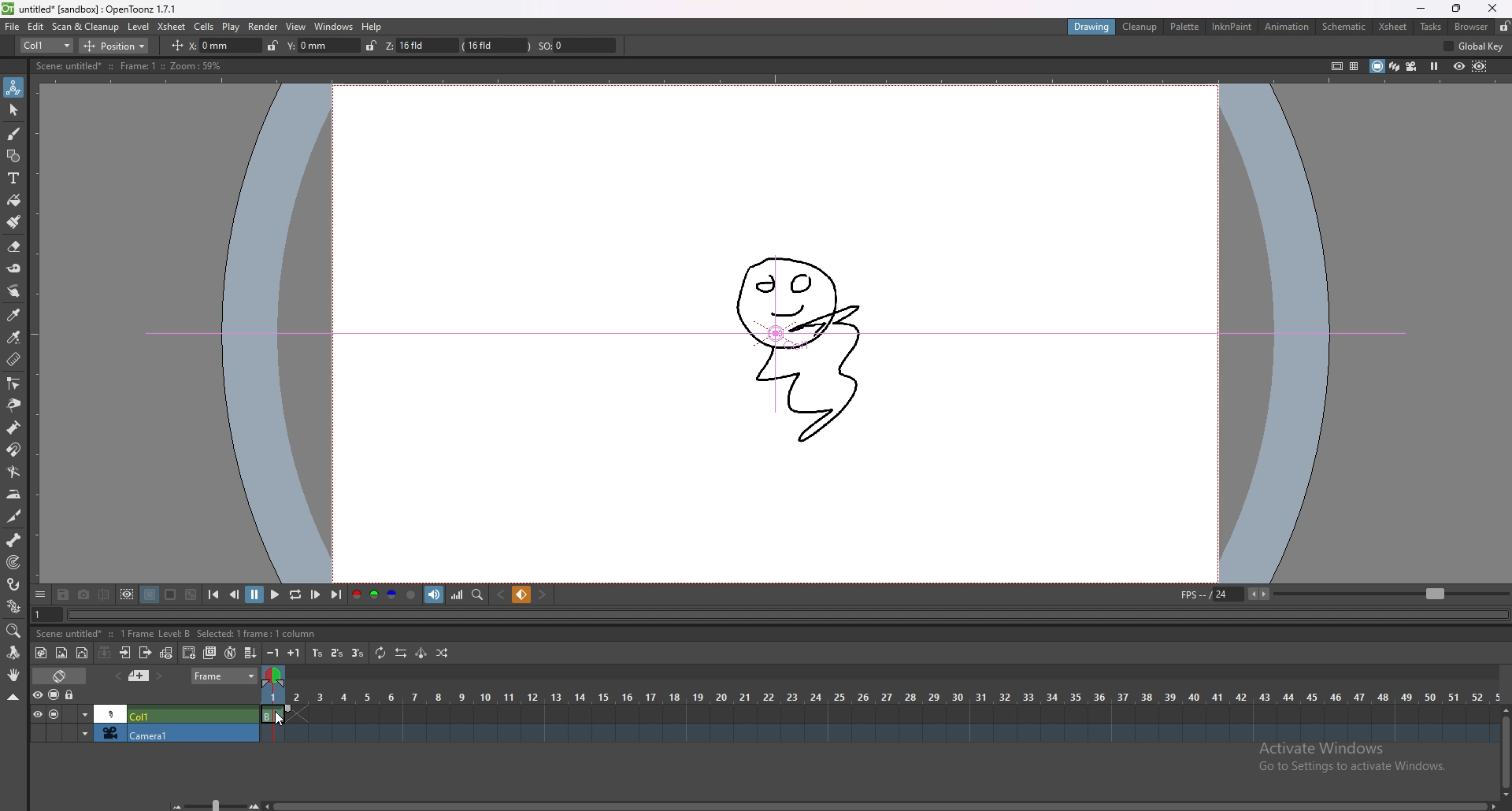 Image resolution: width=1512 pixels, height=811 pixels. I want to click on hook, so click(15, 584).